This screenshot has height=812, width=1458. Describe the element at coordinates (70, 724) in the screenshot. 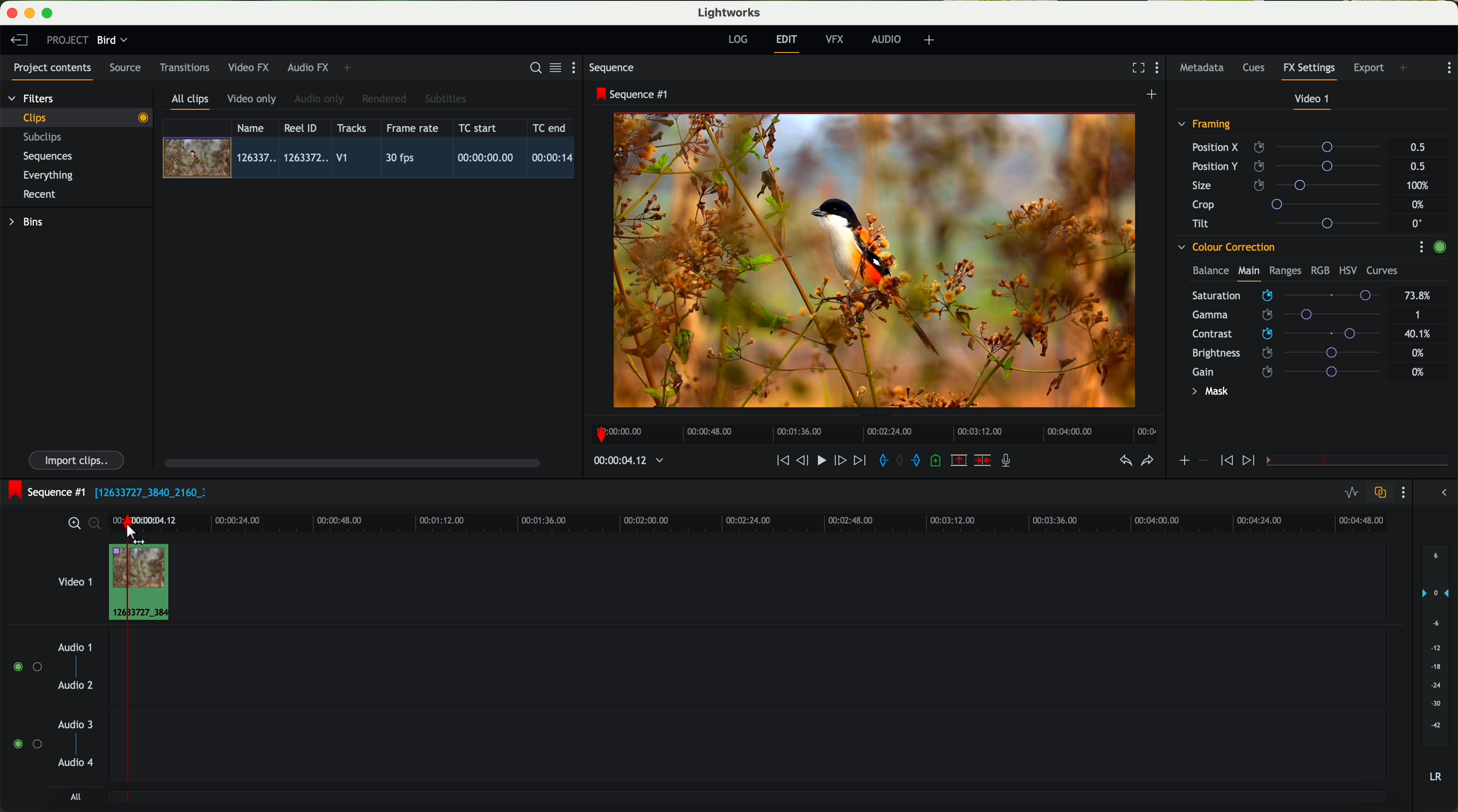

I see `audio 3` at that location.